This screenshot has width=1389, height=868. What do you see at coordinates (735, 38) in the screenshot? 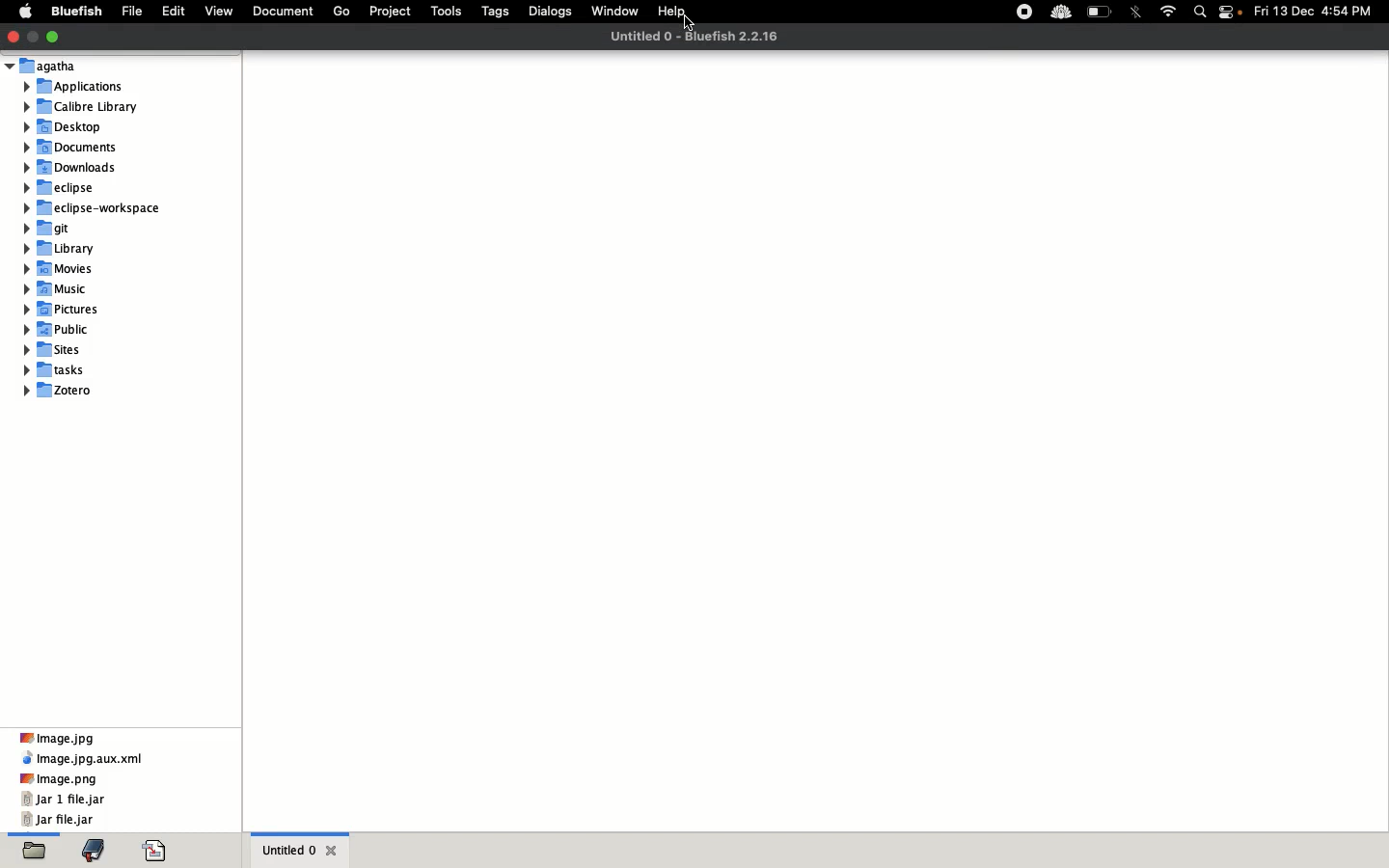
I see `Software and Version 2.2.16` at bounding box center [735, 38].